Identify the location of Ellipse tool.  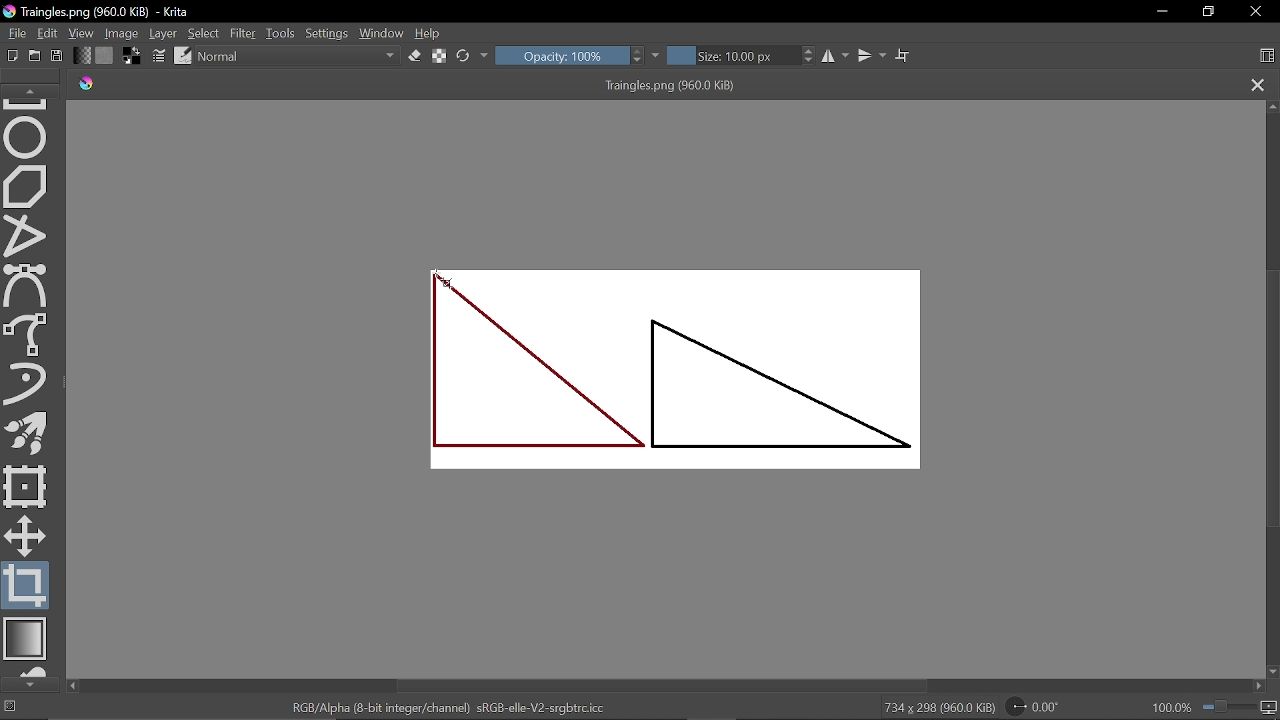
(27, 136).